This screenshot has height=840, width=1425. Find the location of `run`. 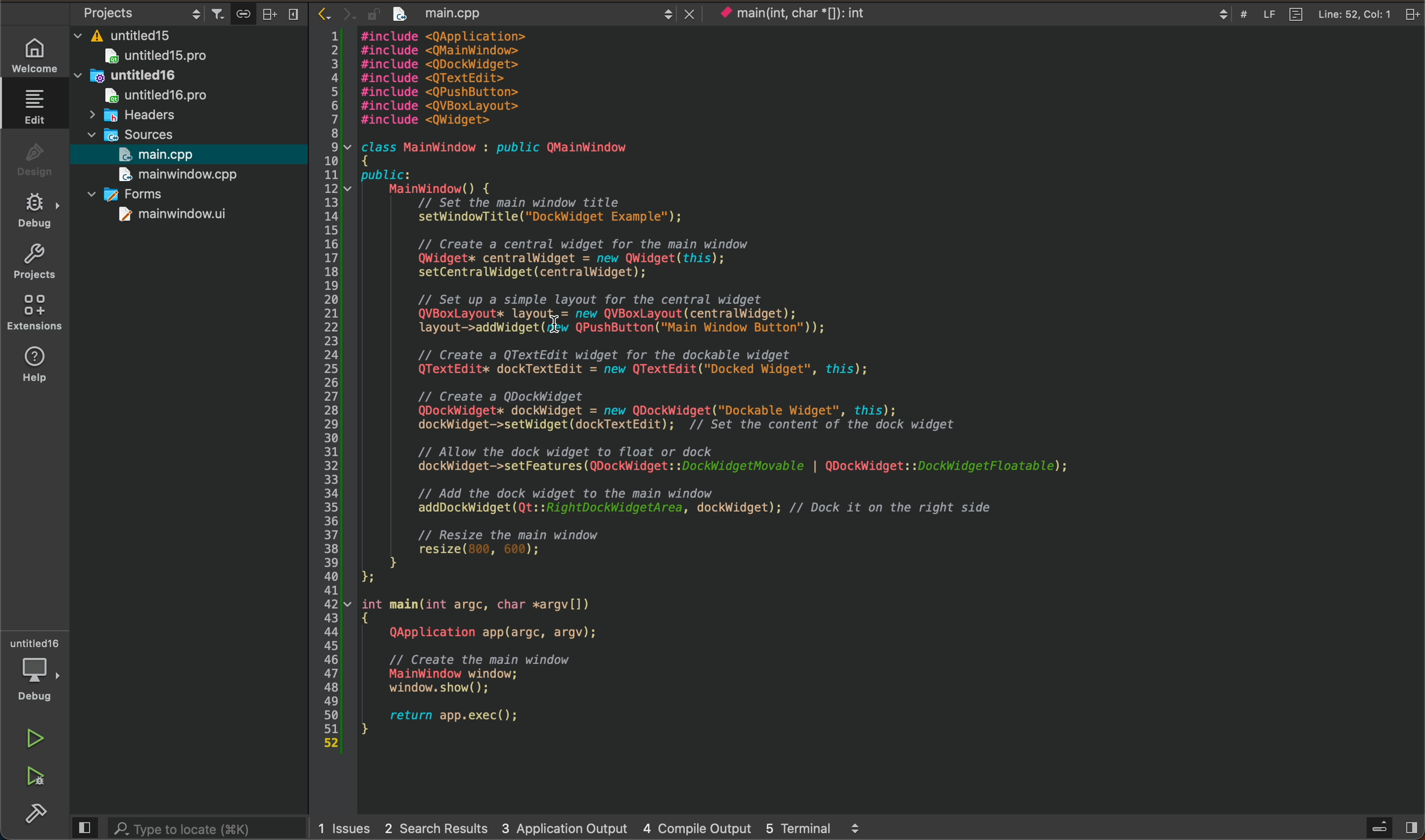

run is located at coordinates (33, 738).